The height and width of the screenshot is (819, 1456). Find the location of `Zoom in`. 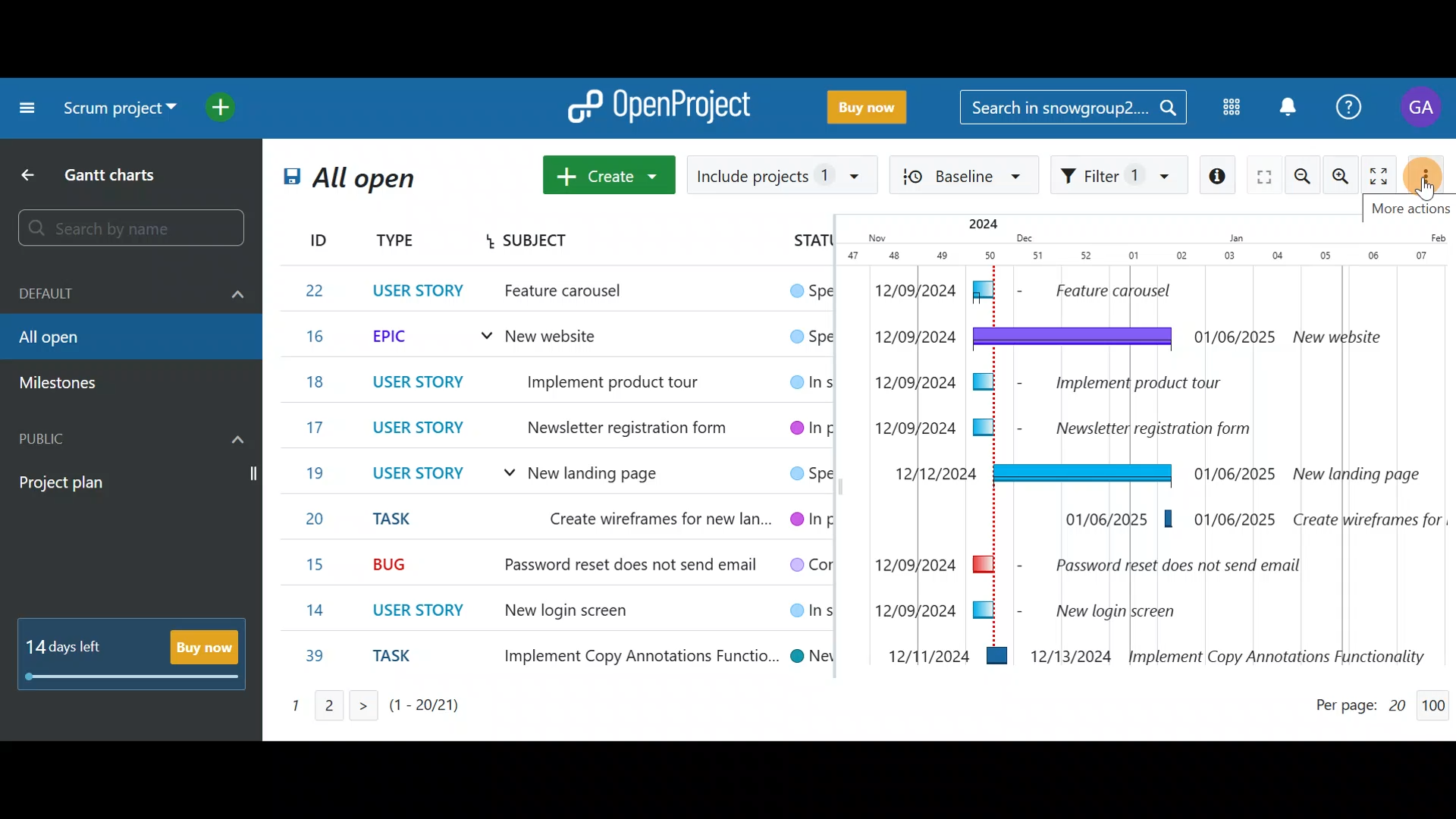

Zoom in is located at coordinates (1342, 177).